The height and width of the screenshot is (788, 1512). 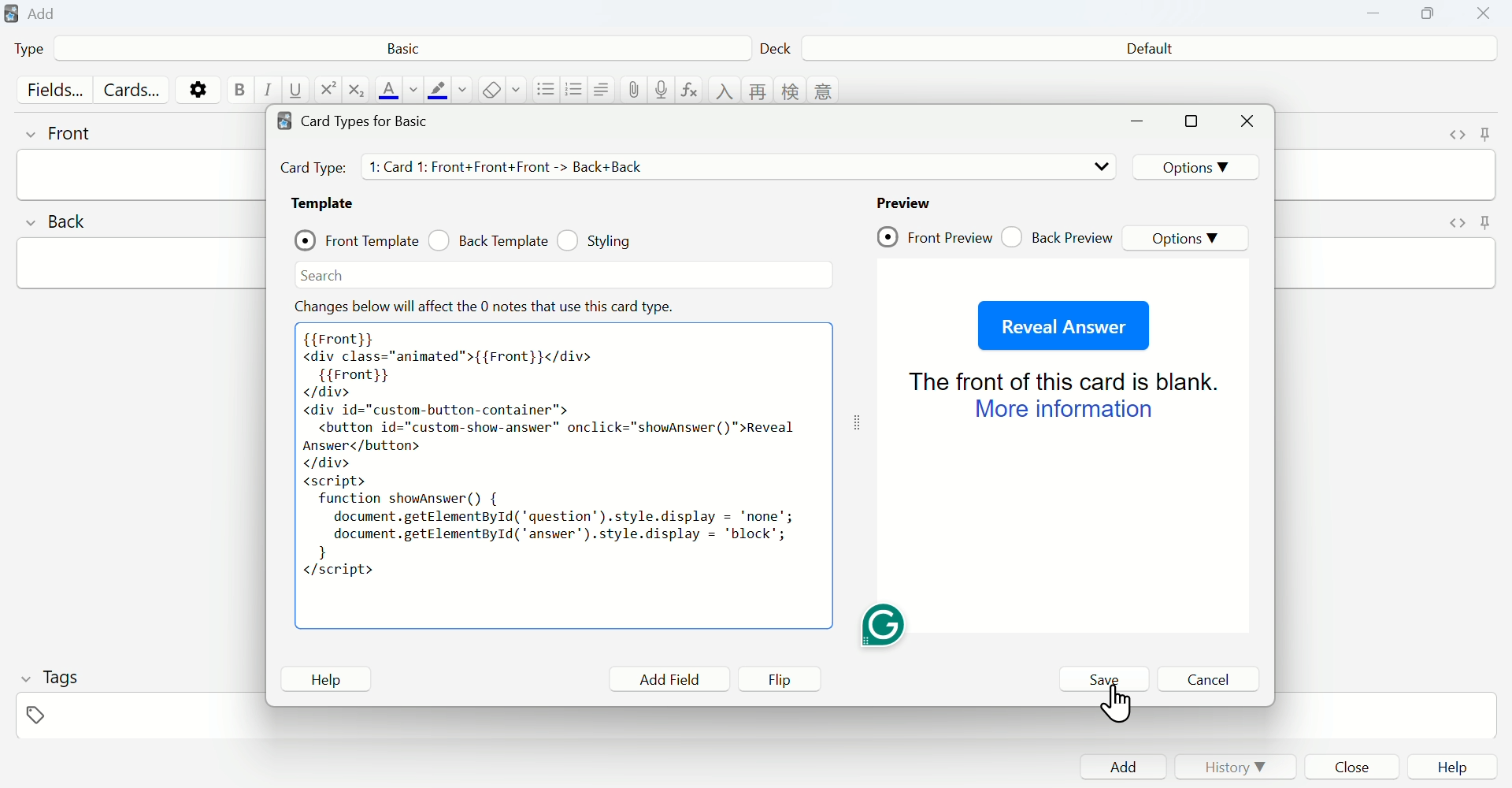 I want to click on options, so click(x=197, y=90).